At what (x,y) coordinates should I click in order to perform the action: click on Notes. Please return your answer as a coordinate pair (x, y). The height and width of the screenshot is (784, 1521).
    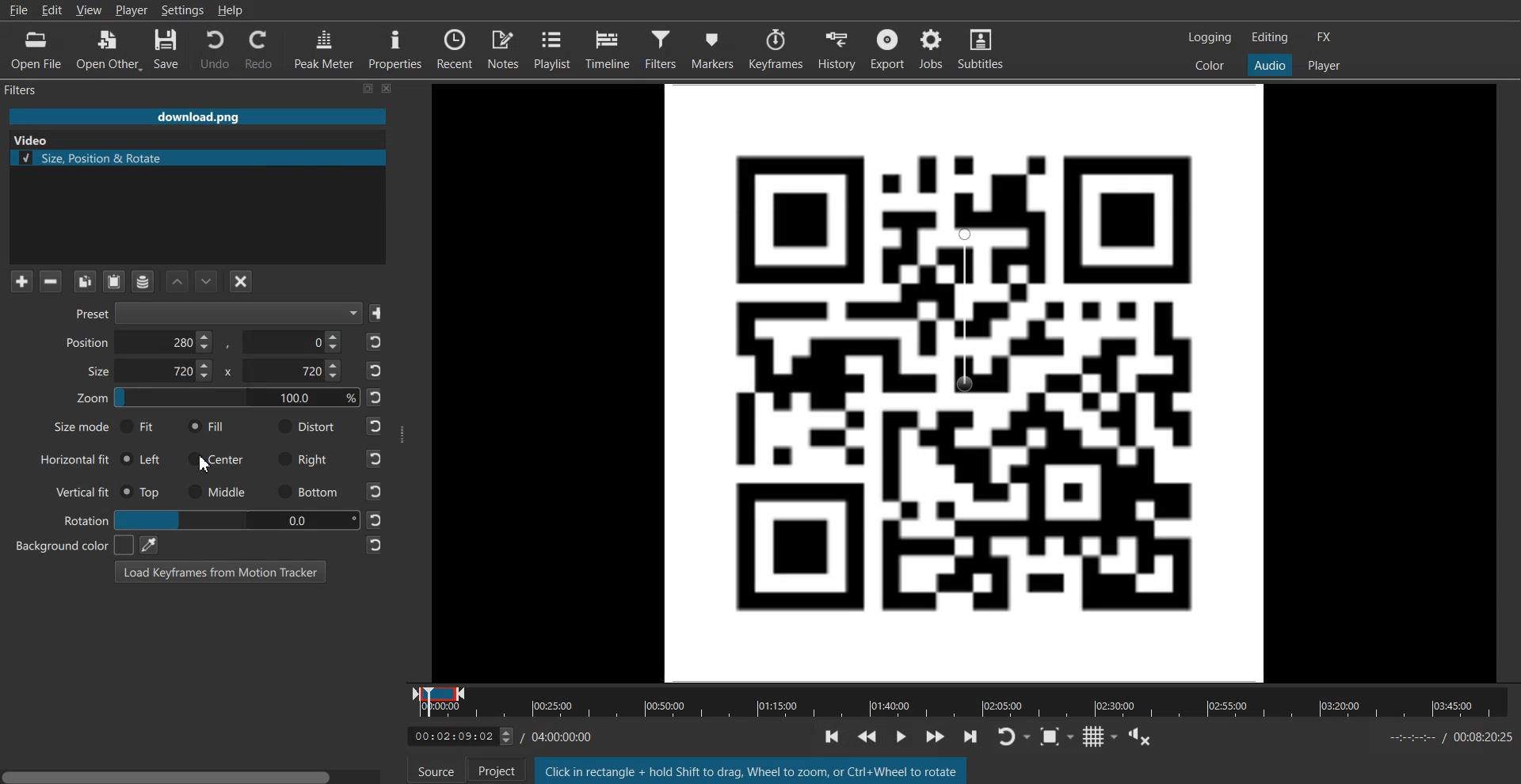
    Looking at the image, I should click on (504, 48).